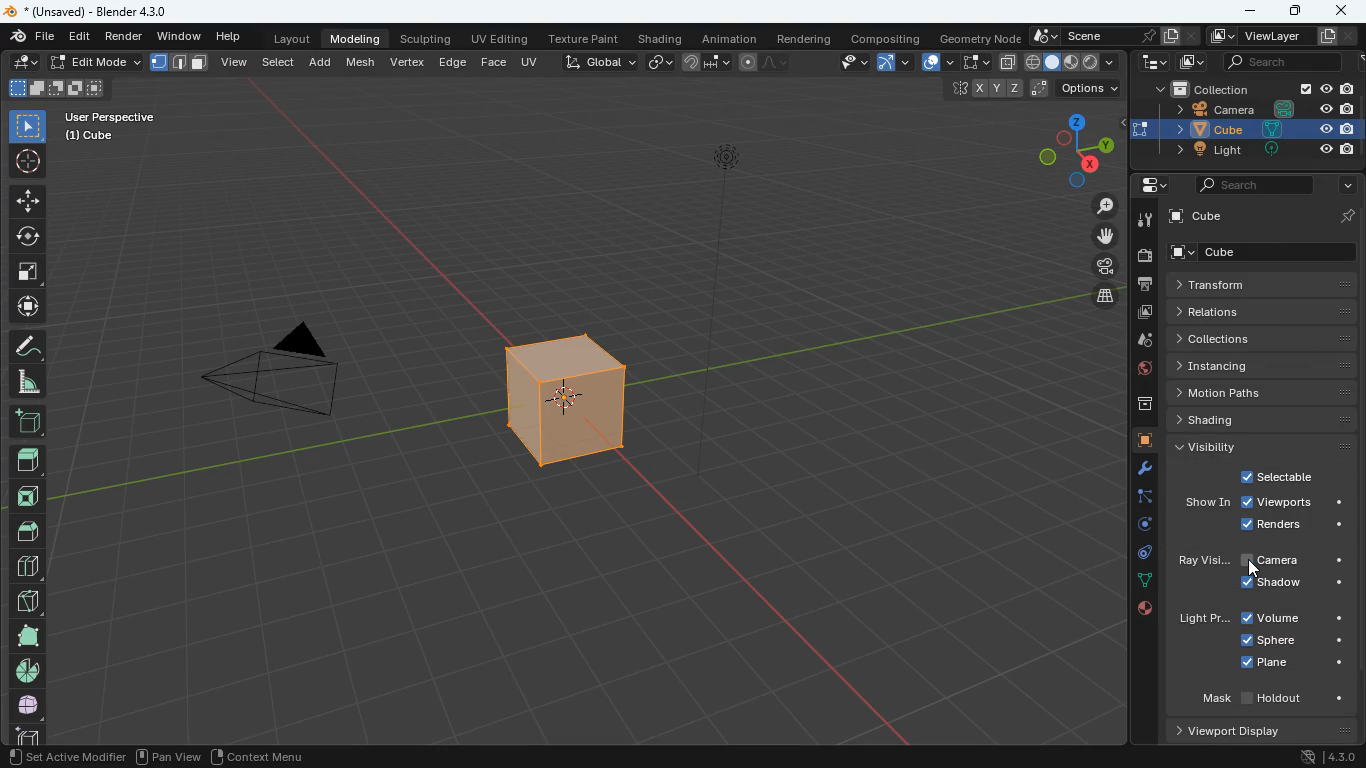 Image resolution: width=1366 pixels, height=768 pixels. I want to click on cube, so click(1267, 216).